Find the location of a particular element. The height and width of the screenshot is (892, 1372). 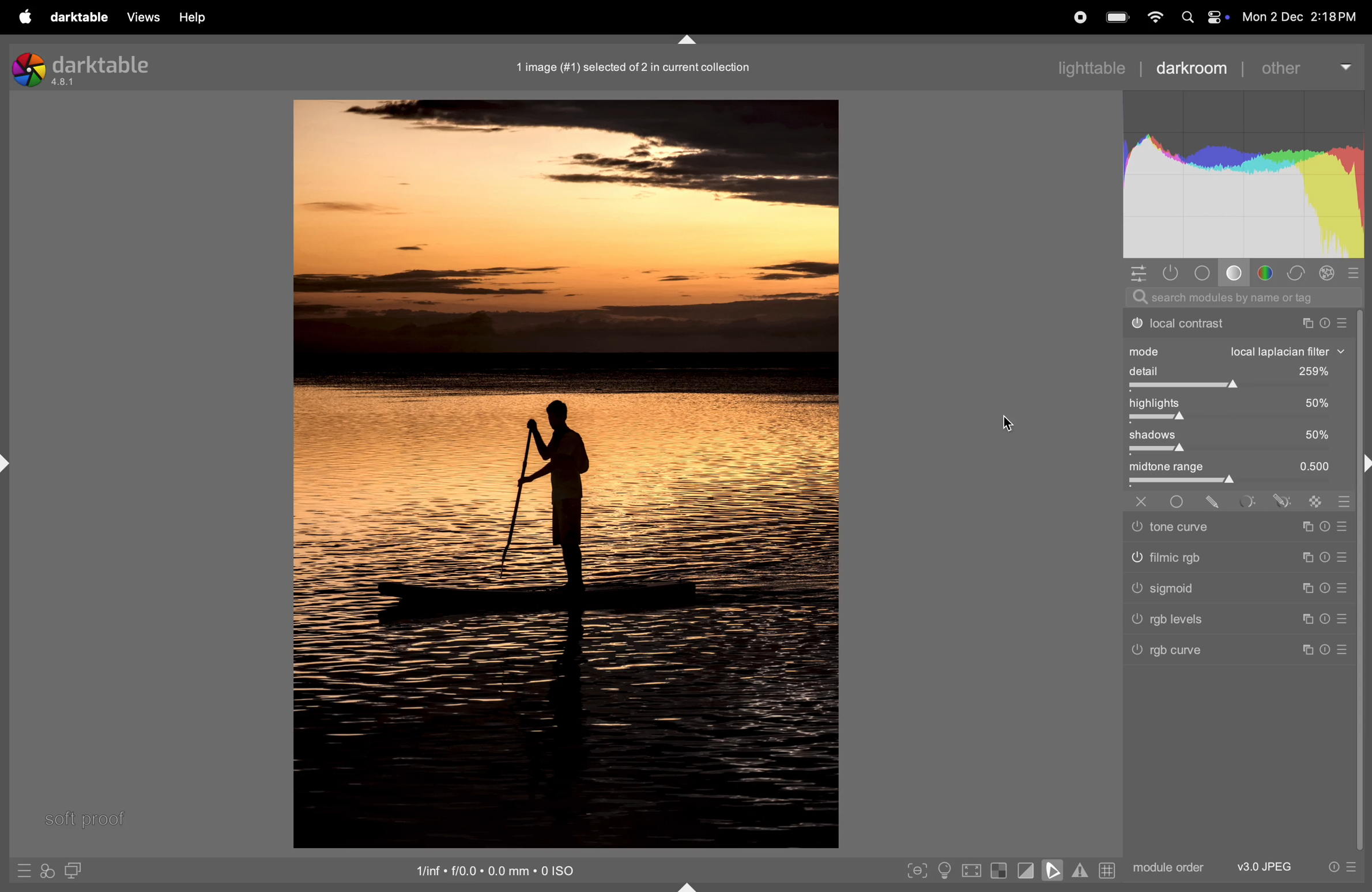

Darktable is located at coordinates (87, 68).